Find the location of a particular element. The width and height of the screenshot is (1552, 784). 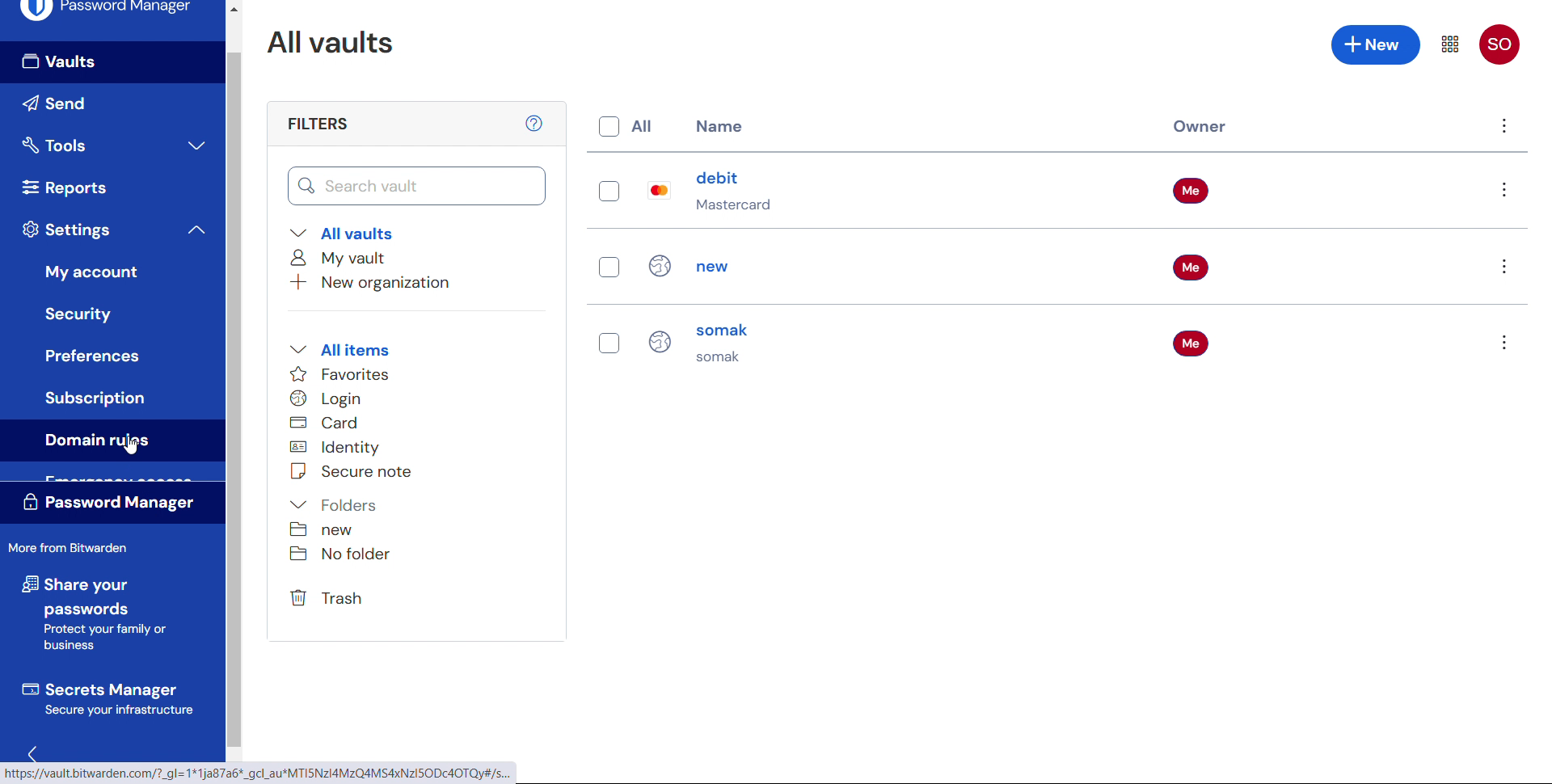

collapse settings is located at coordinates (194, 229).